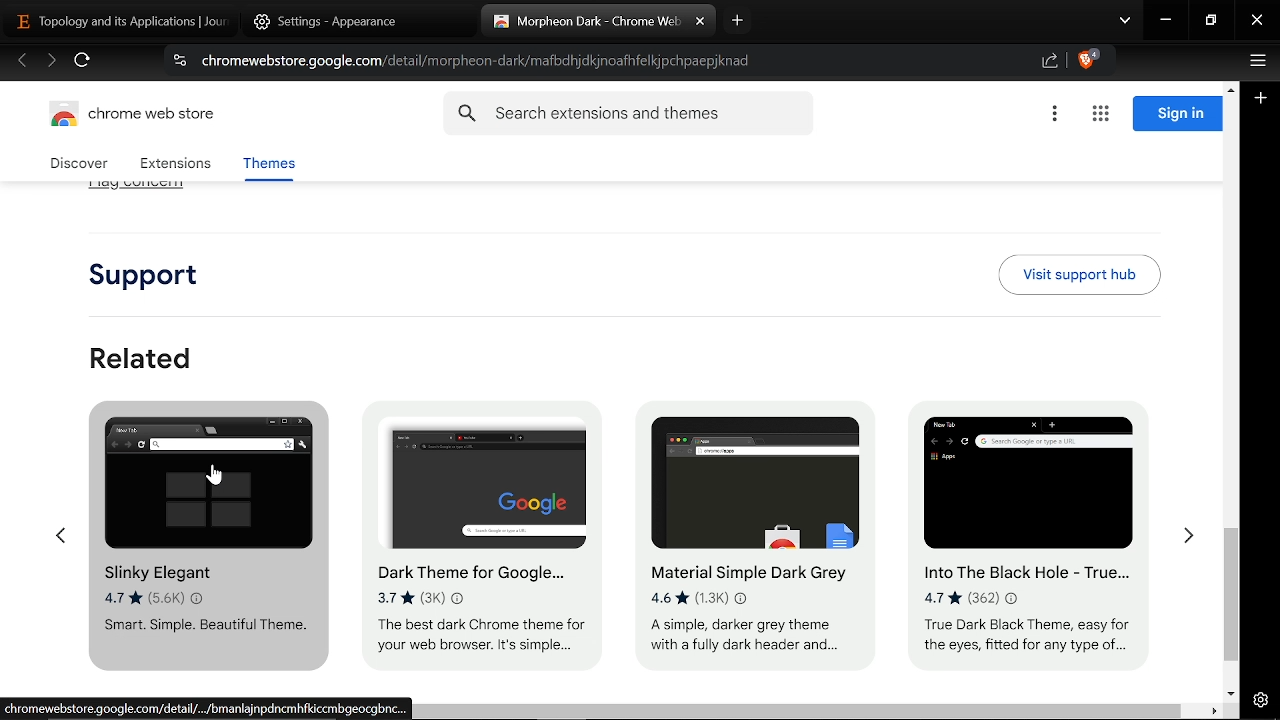 The height and width of the screenshot is (720, 1280). Describe the element at coordinates (51, 62) in the screenshot. I see `Next page` at that location.